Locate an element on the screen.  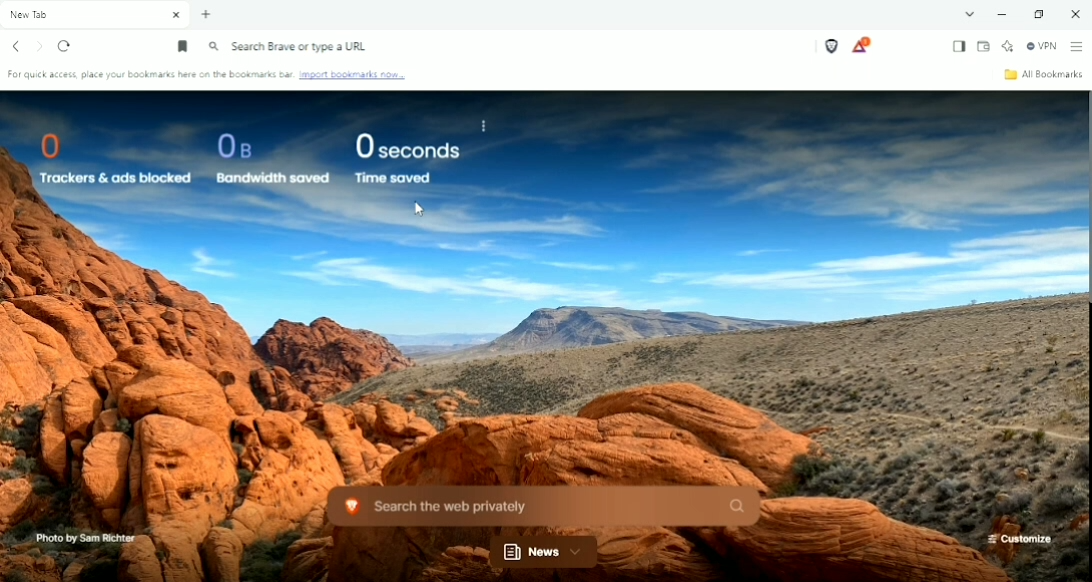
Restore down is located at coordinates (1042, 14).